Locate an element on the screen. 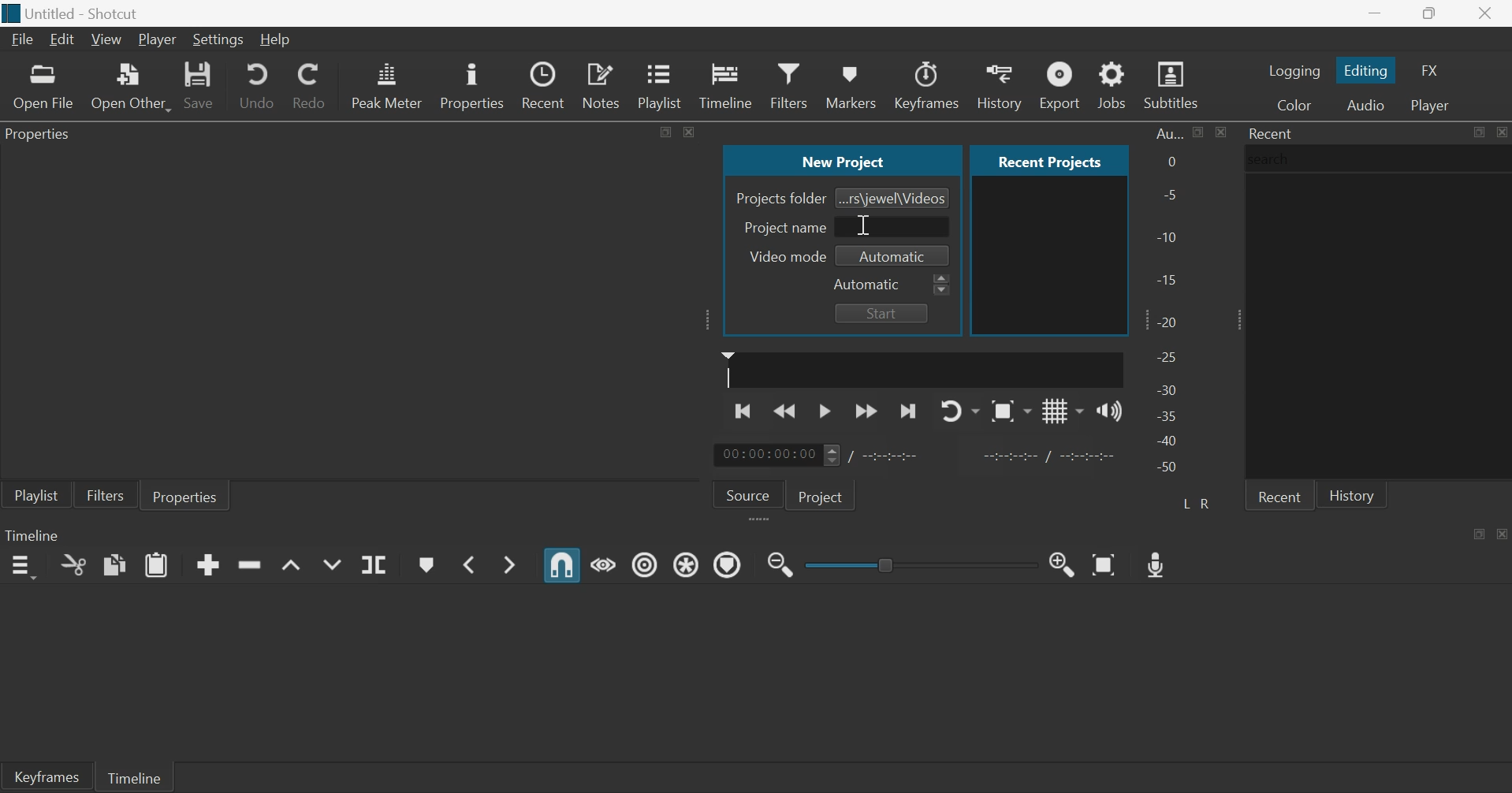  expand is located at coordinates (762, 520).